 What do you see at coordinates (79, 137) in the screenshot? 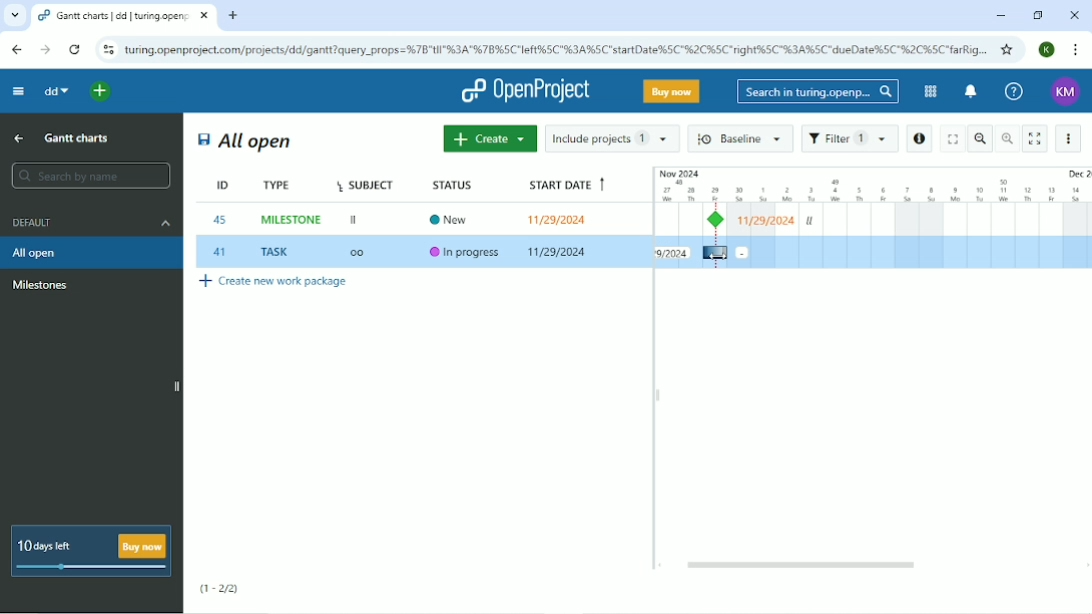
I see `Gantt charts` at bounding box center [79, 137].